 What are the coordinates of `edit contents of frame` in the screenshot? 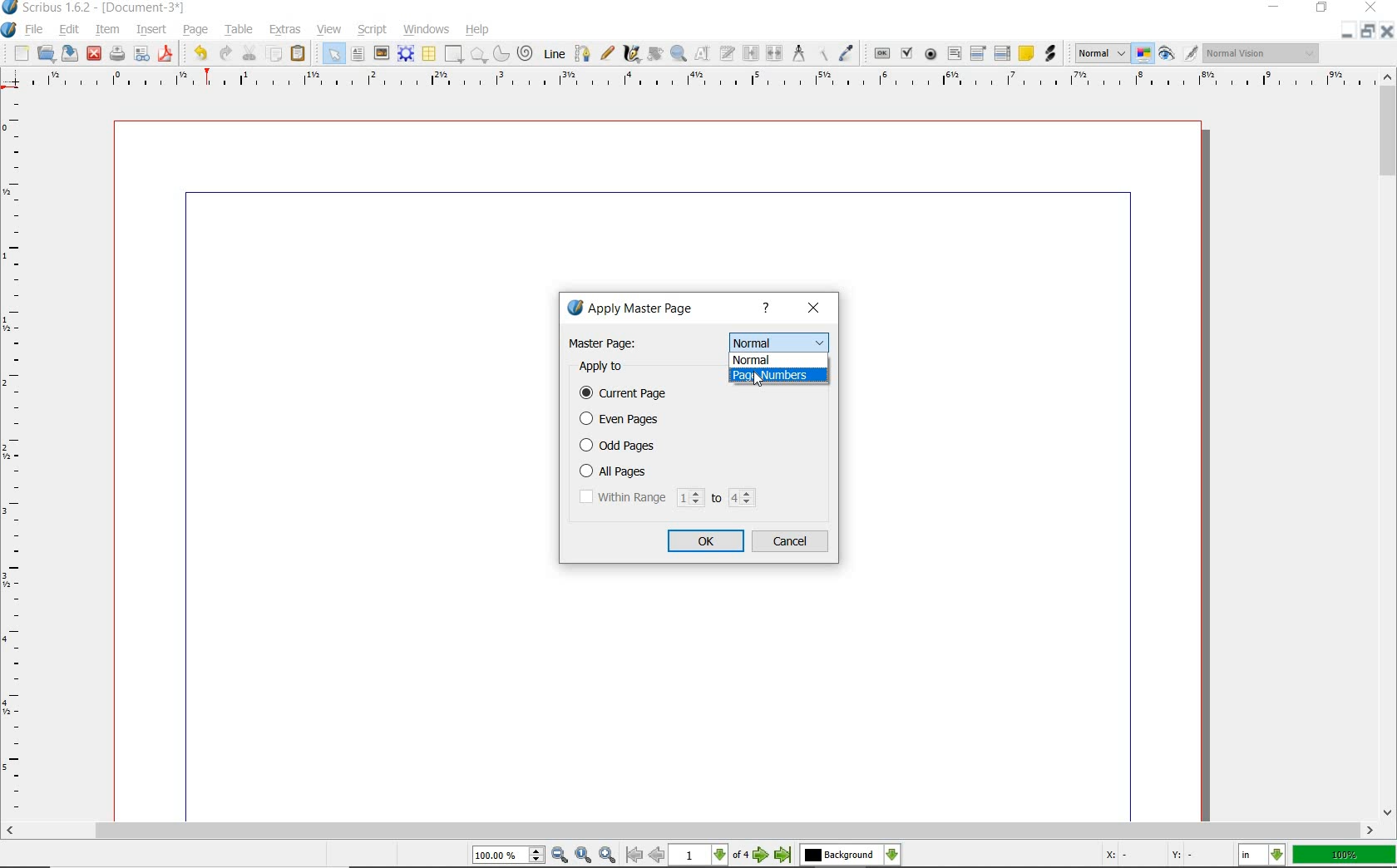 It's located at (700, 54).